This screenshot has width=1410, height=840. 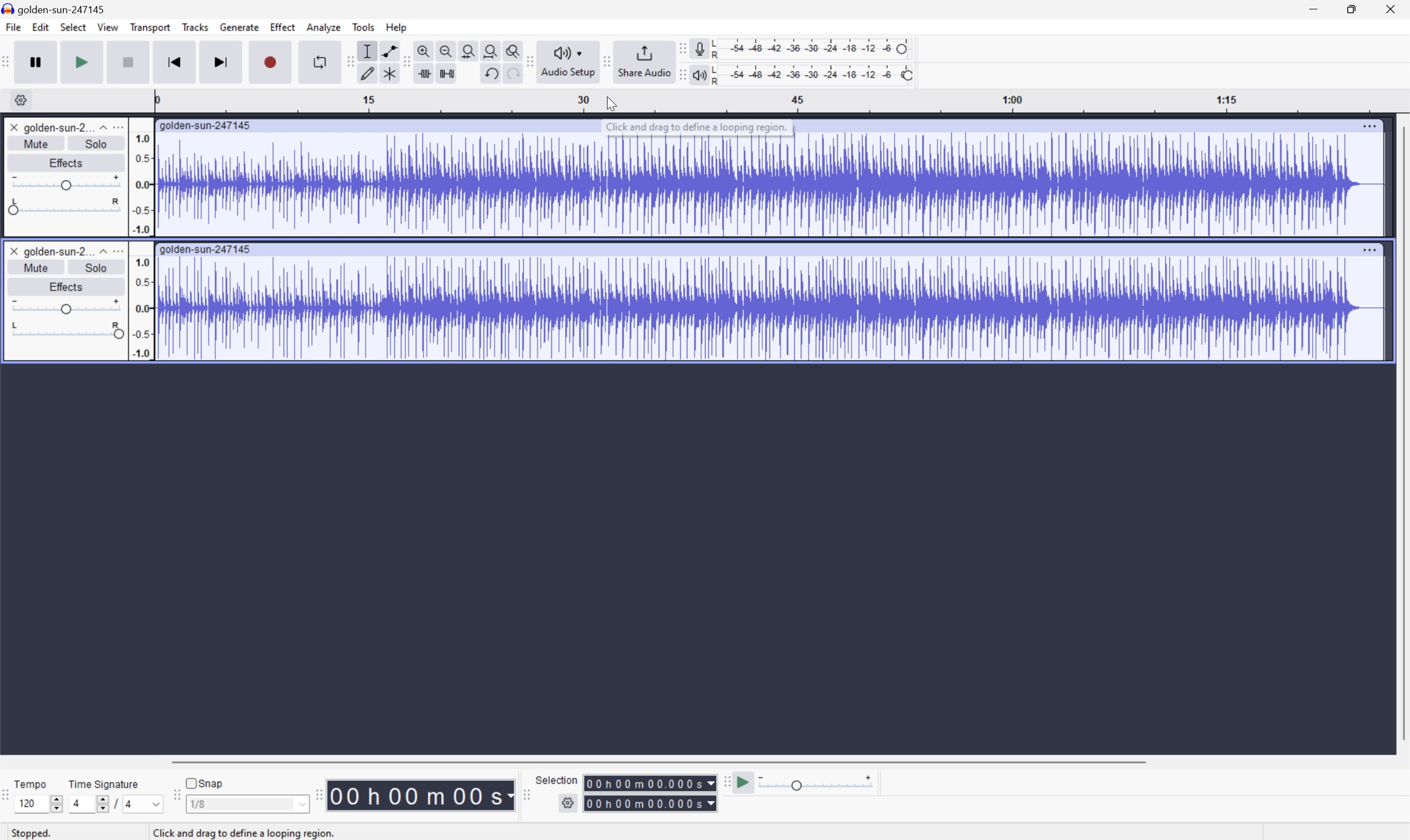 What do you see at coordinates (782, 101) in the screenshot?
I see `Scale` at bounding box center [782, 101].